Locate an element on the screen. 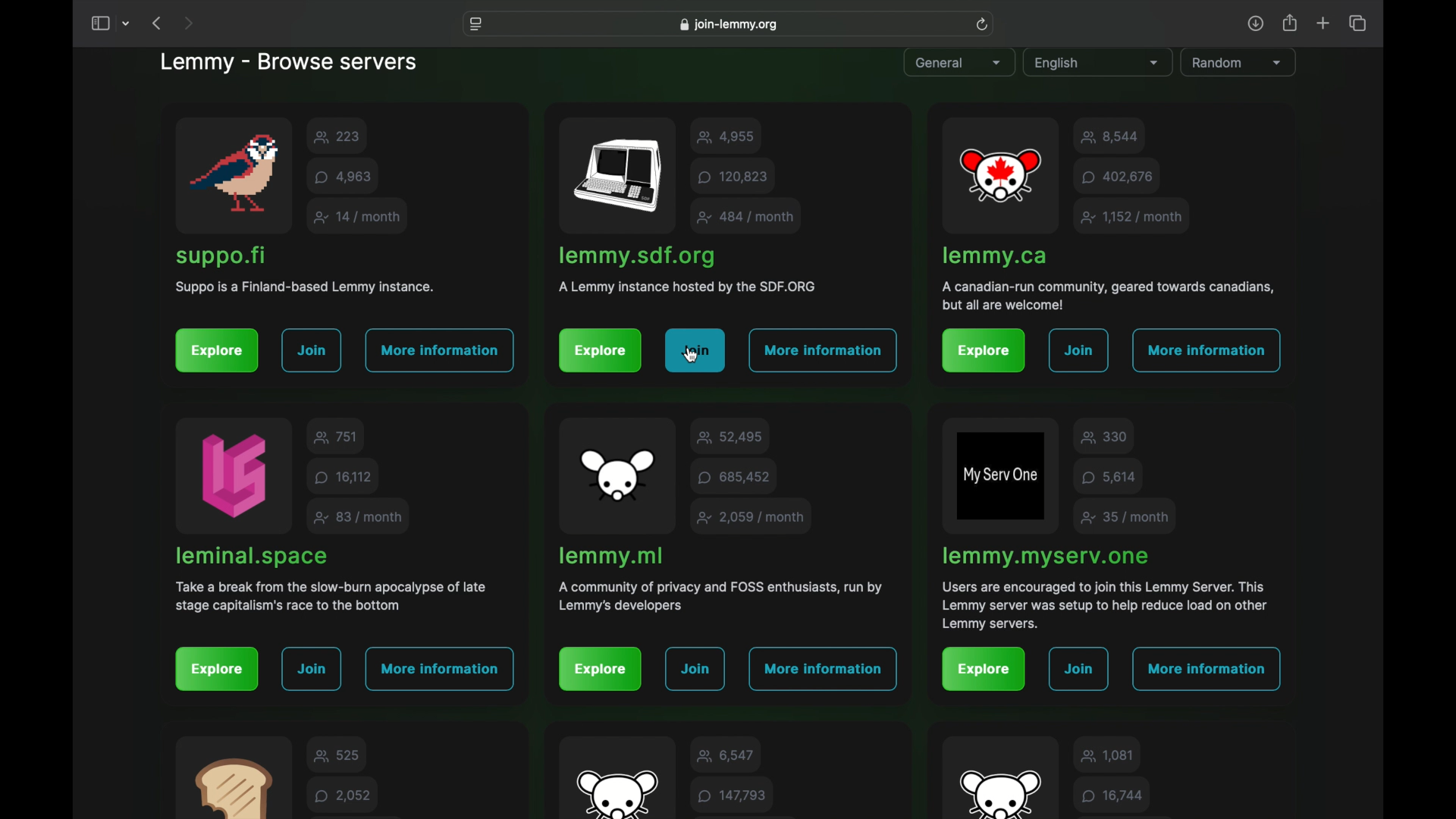 This screenshot has height=819, width=1456. lemmy server is located at coordinates (993, 257).